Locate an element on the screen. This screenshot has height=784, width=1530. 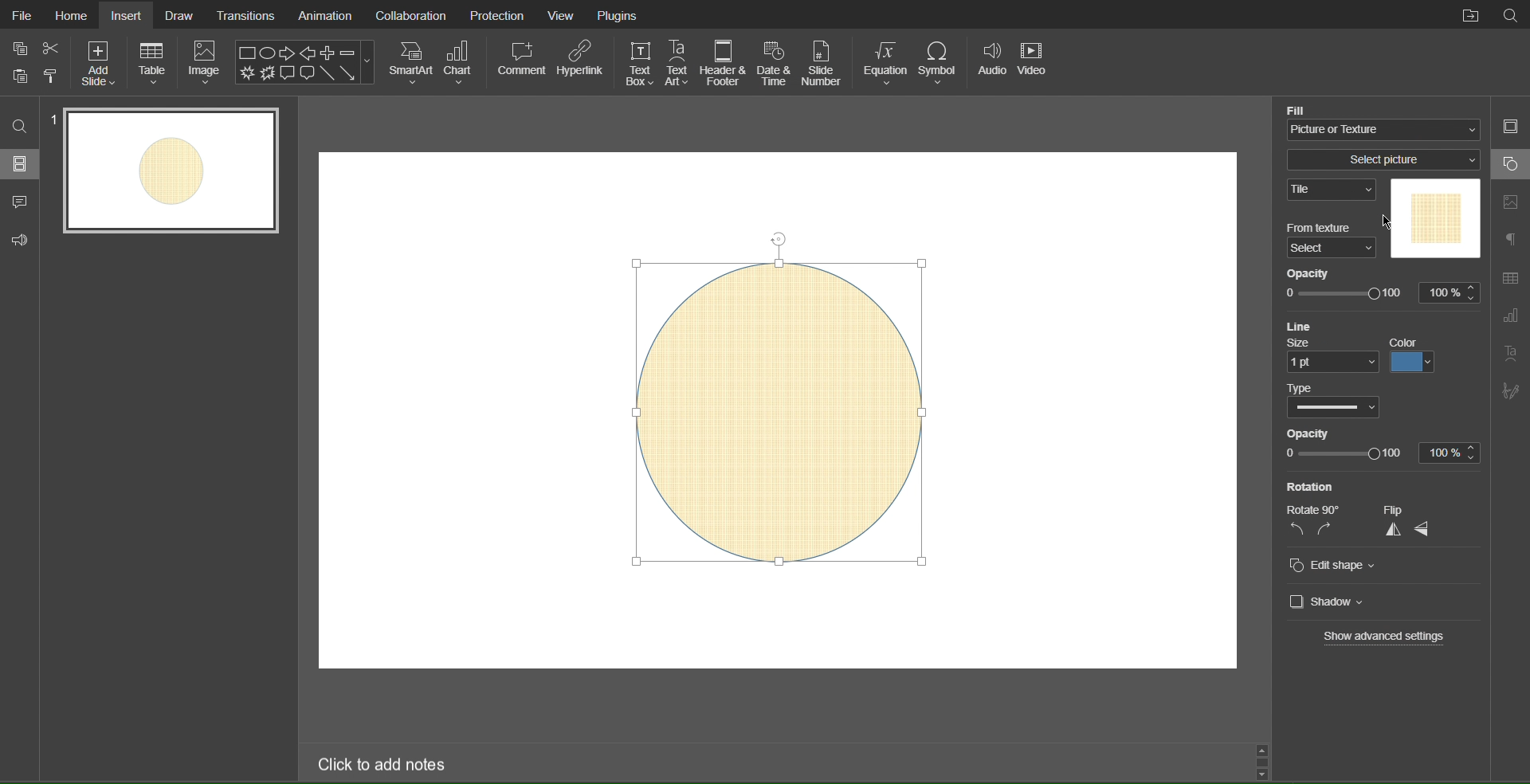
Signature is located at coordinates (1511, 394).